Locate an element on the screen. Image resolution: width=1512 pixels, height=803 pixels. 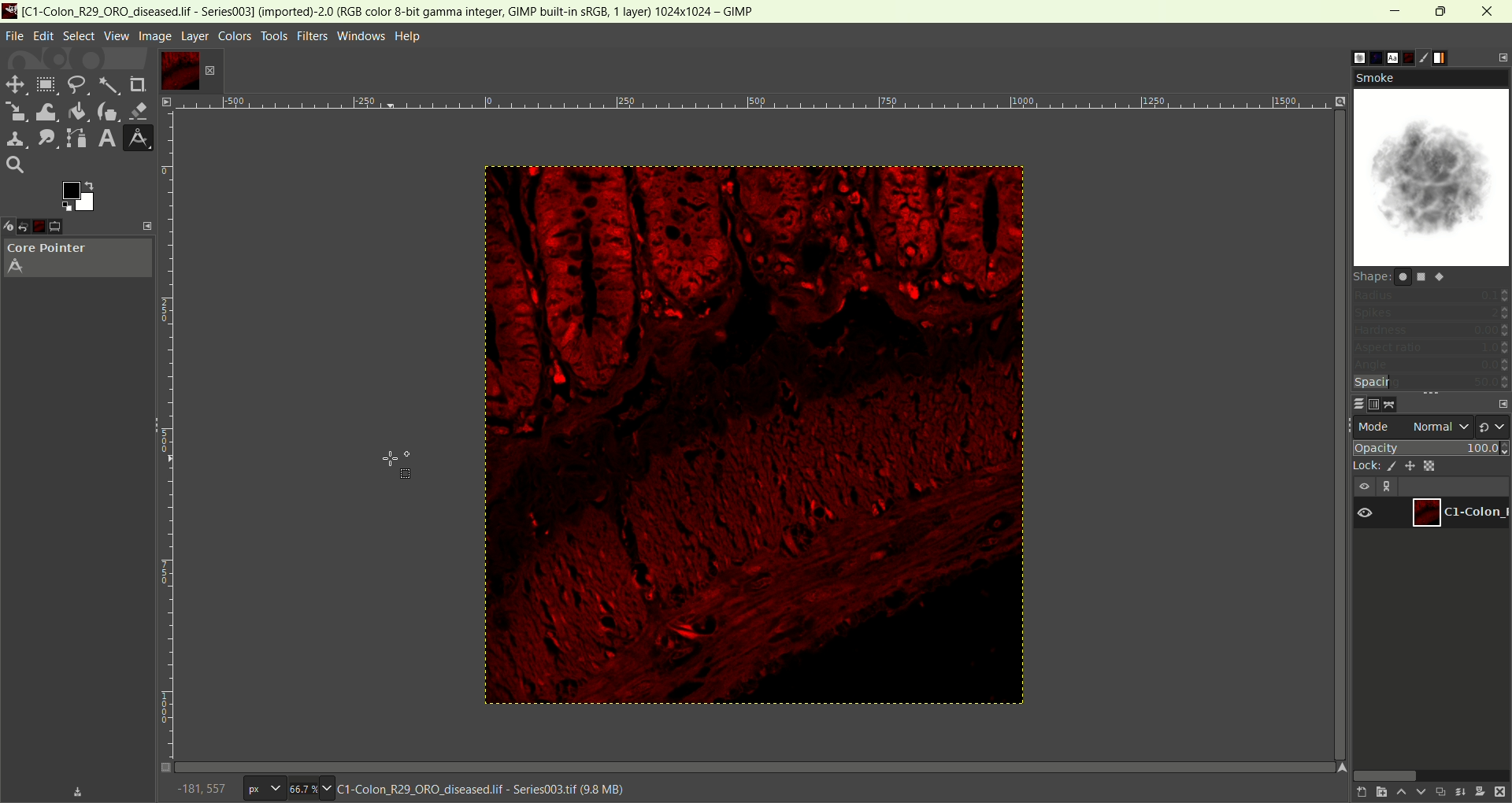
color bucket is located at coordinates (76, 111).